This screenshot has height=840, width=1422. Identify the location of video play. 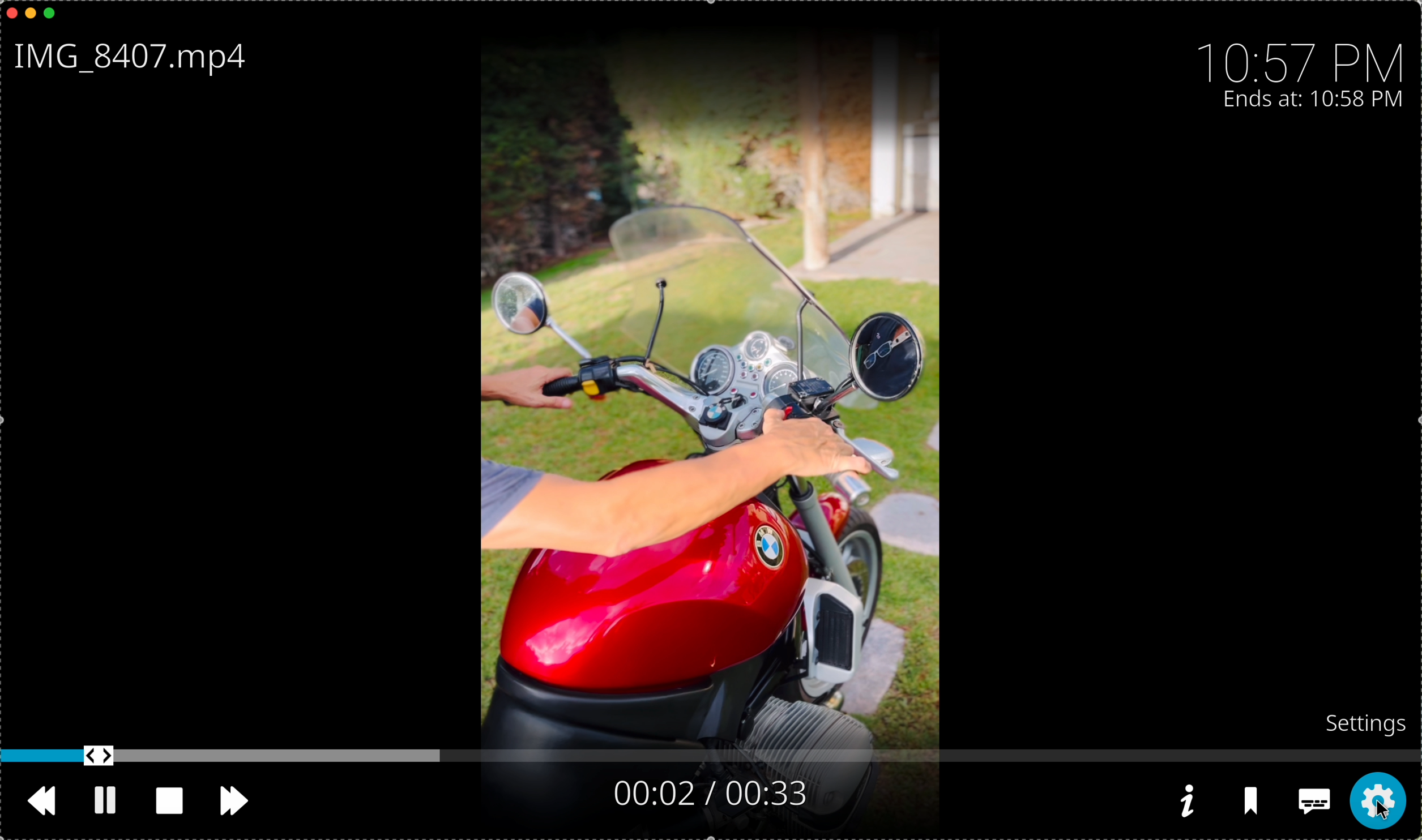
(706, 372).